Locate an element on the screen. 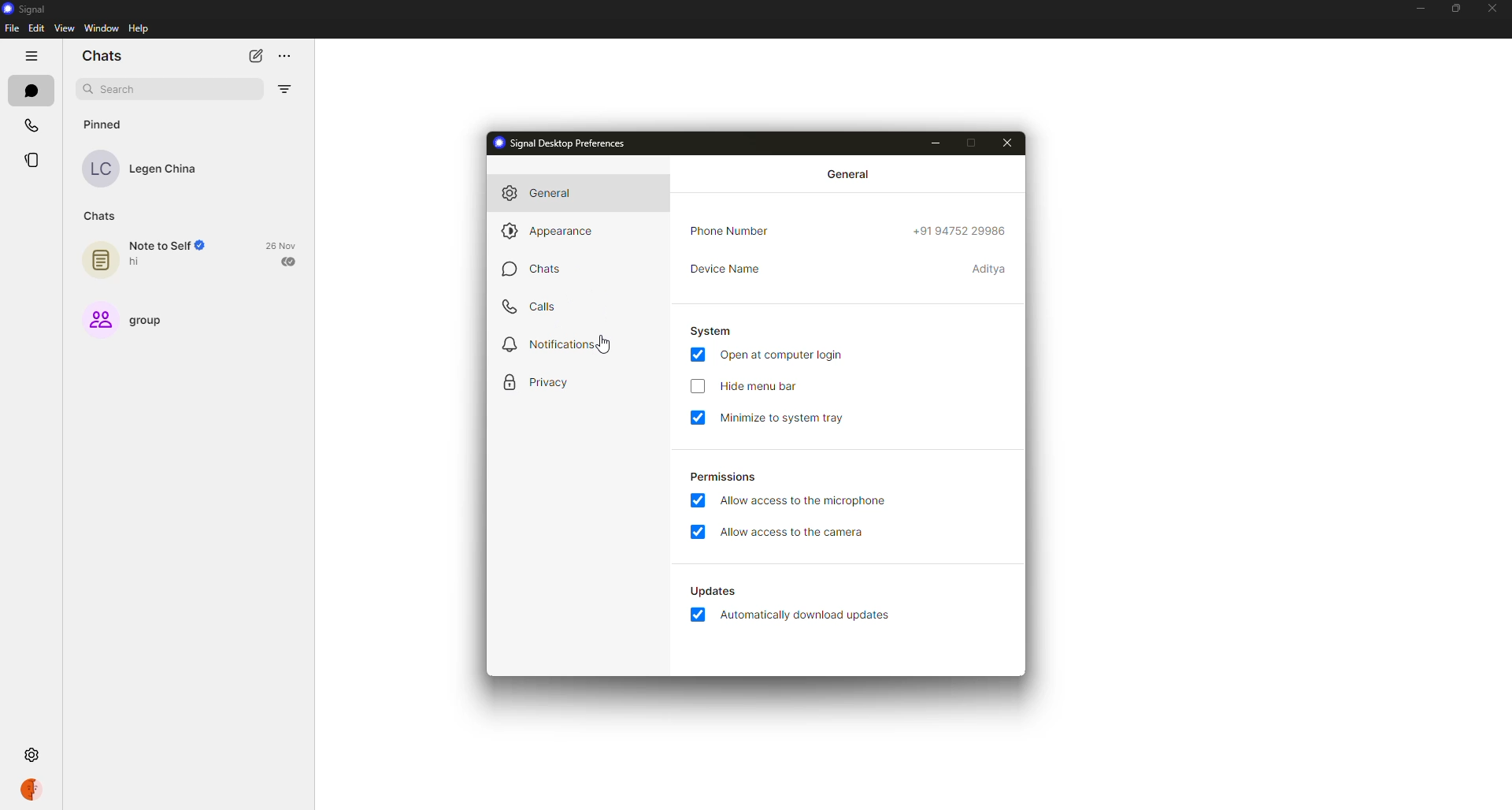 Image resolution: width=1512 pixels, height=810 pixels. date is located at coordinates (284, 245).